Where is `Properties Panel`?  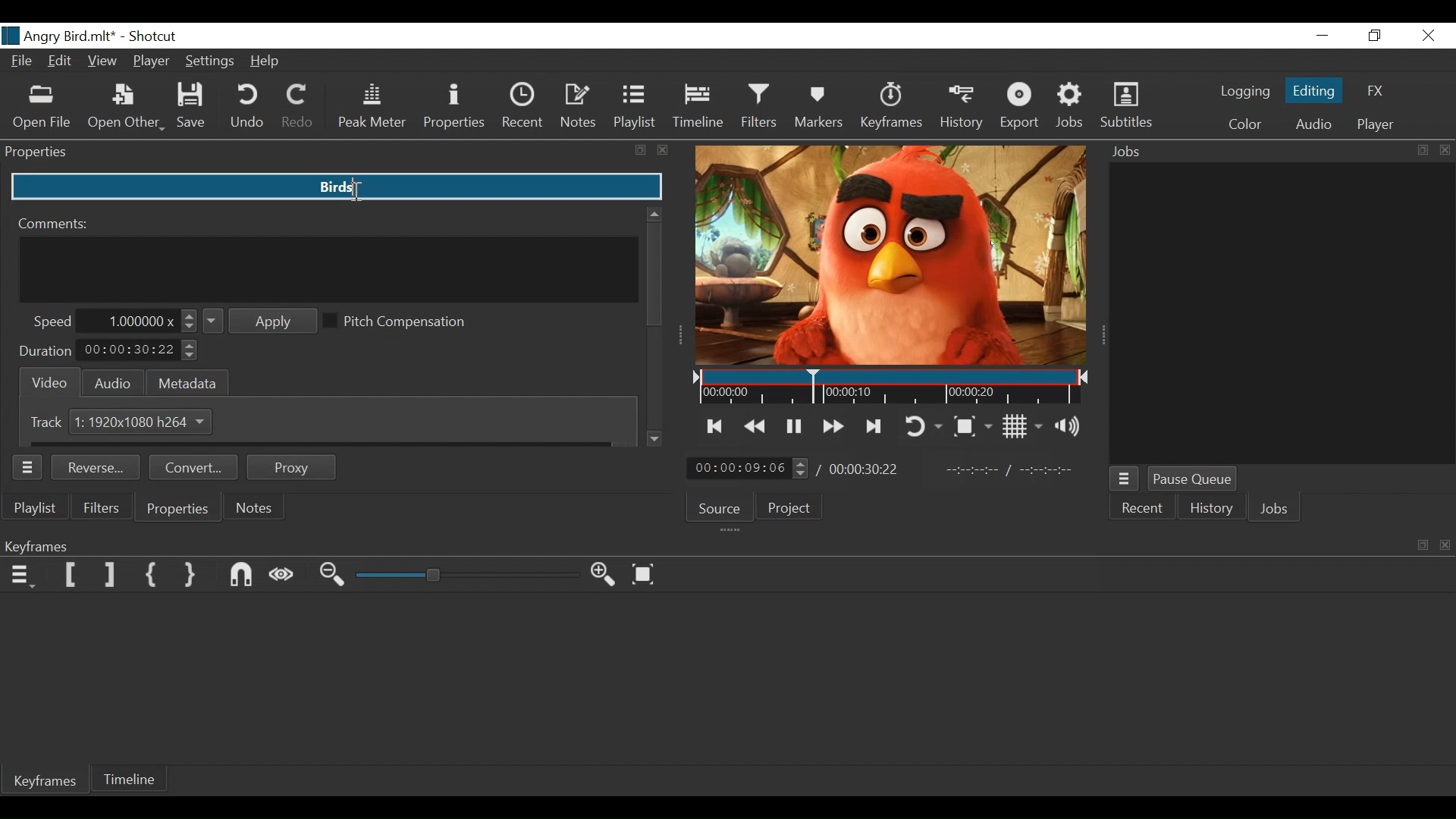 Properties Panel is located at coordinates (337, 152).